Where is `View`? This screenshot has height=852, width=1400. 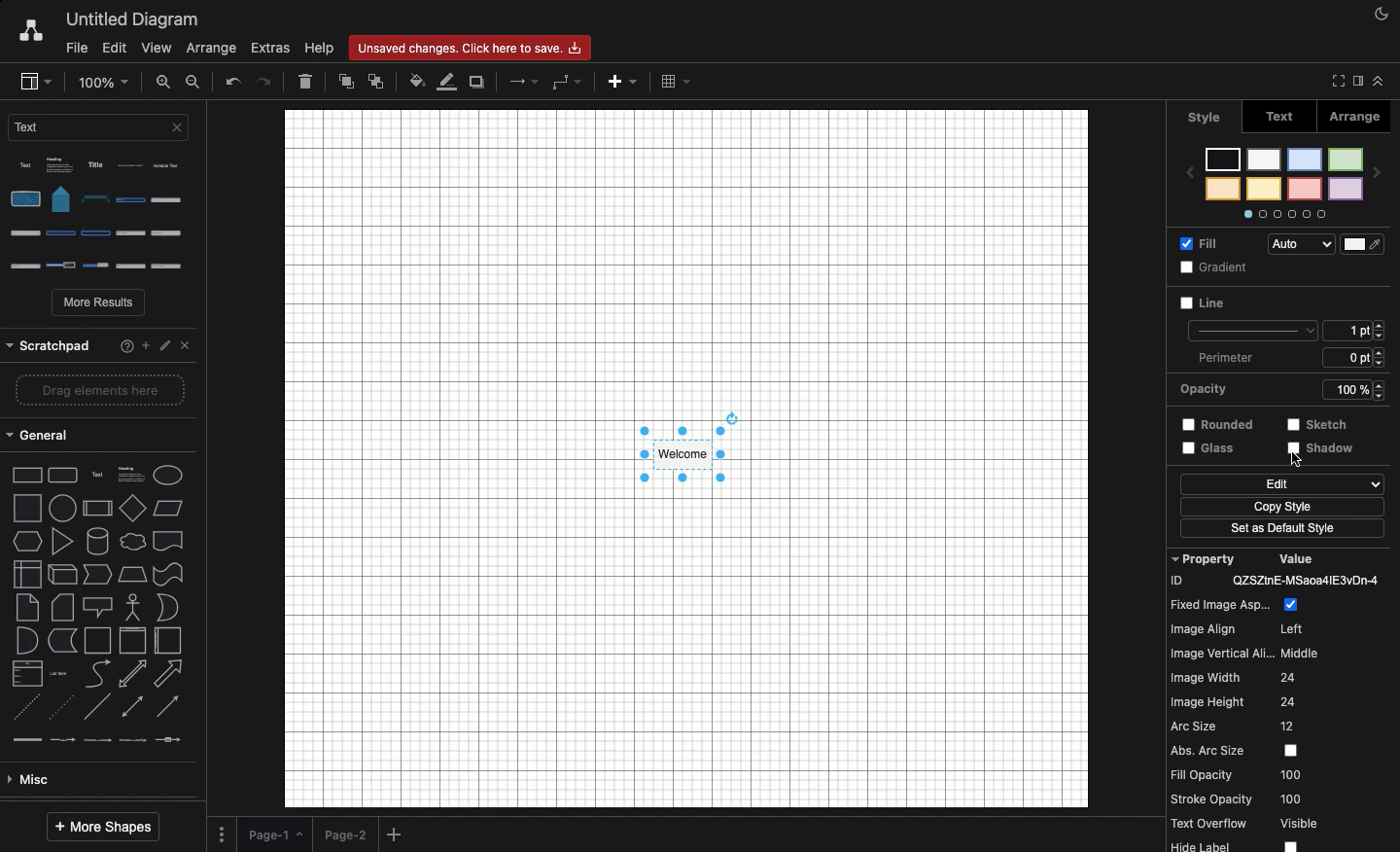 View is located at coordinates (157, 50).